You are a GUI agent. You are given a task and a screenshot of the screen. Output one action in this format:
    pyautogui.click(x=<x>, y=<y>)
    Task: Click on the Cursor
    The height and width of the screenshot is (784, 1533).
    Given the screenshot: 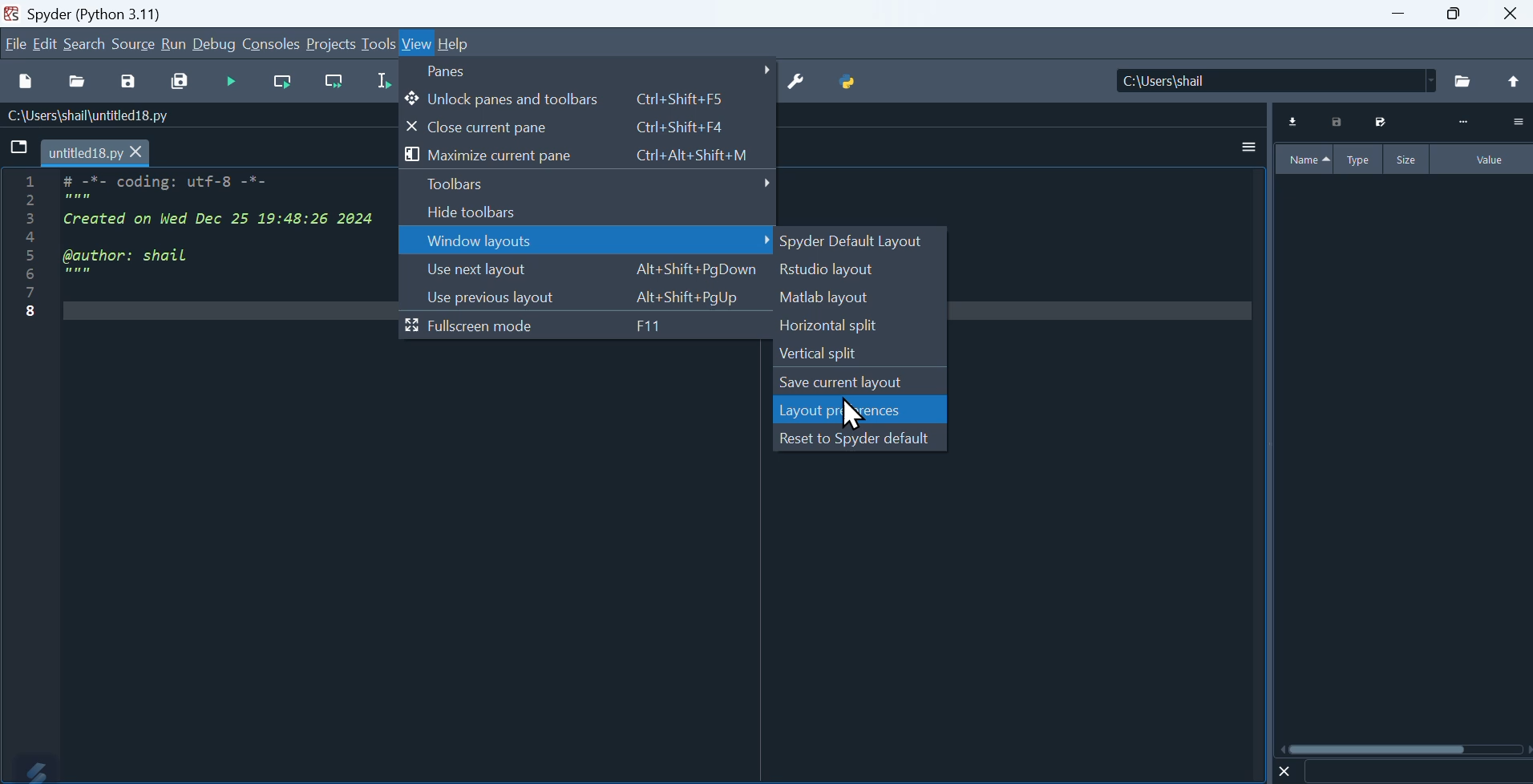 What is the action you would take?
    pyautogui.click(x=855, y=417)
    